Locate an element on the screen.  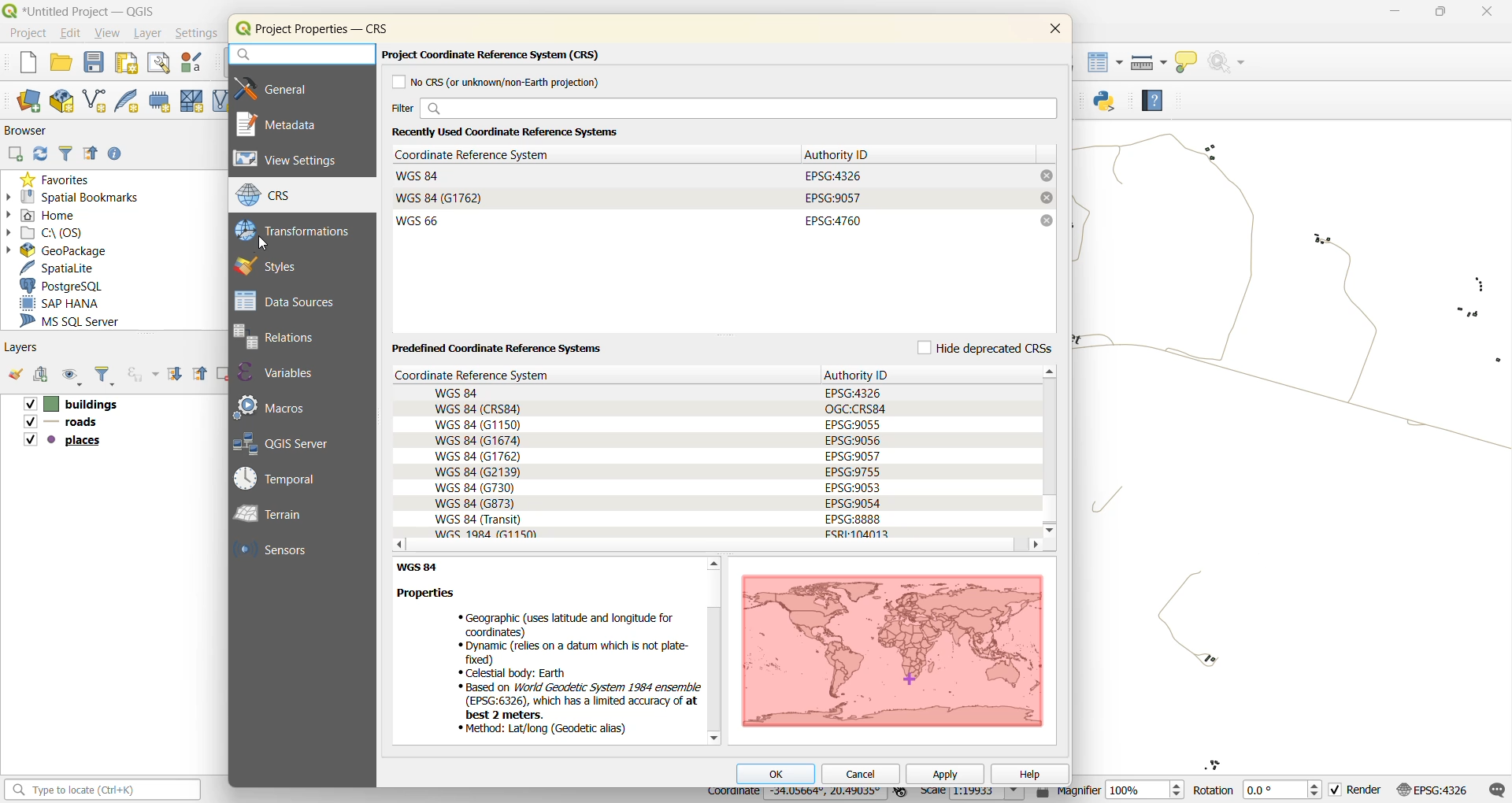
new mesh is located at coordinates (190, 101).